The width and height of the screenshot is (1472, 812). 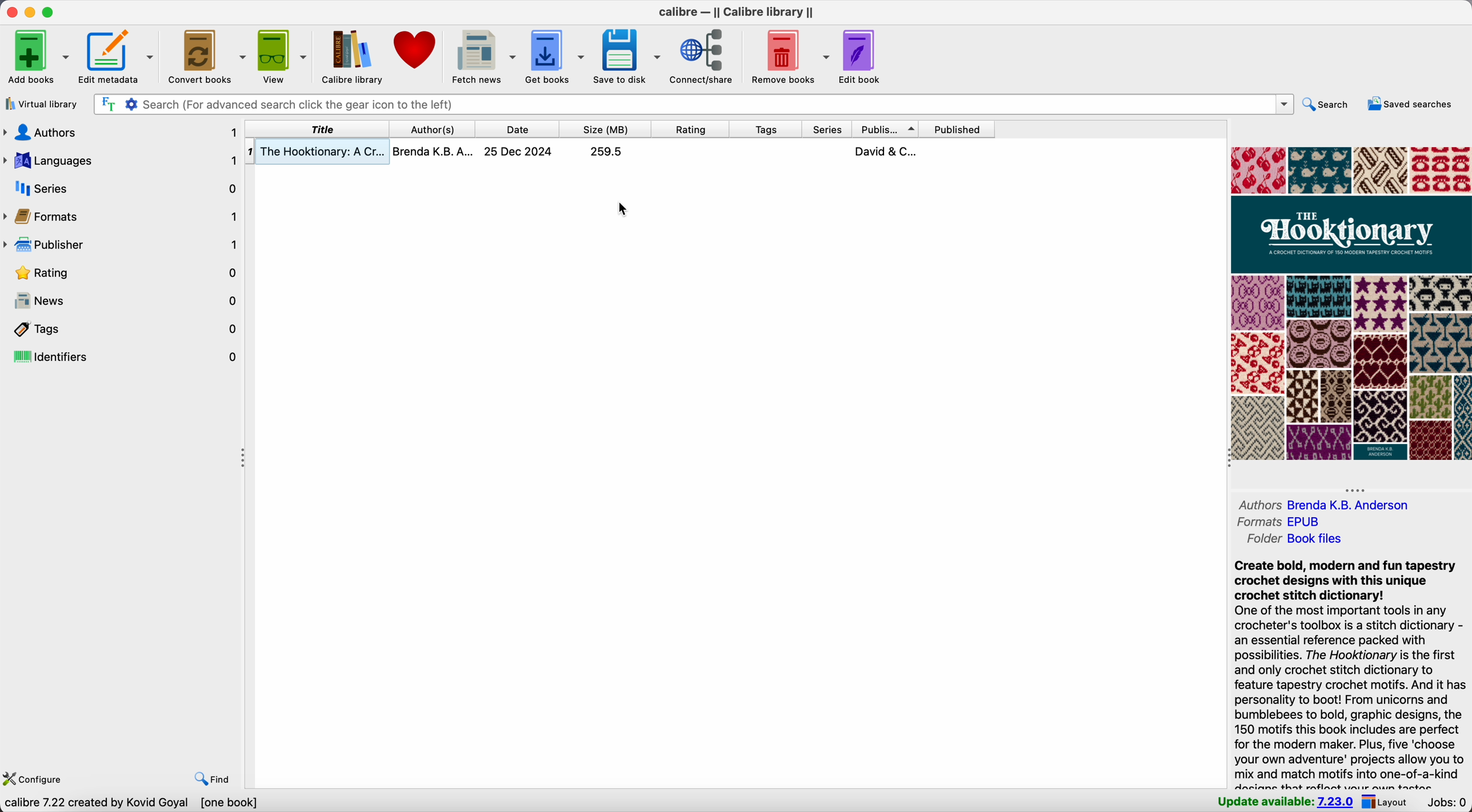 What do you see at coordinates (482, 55) in the screenshot?
I see `fetch news` at bounding box center [482, 55].